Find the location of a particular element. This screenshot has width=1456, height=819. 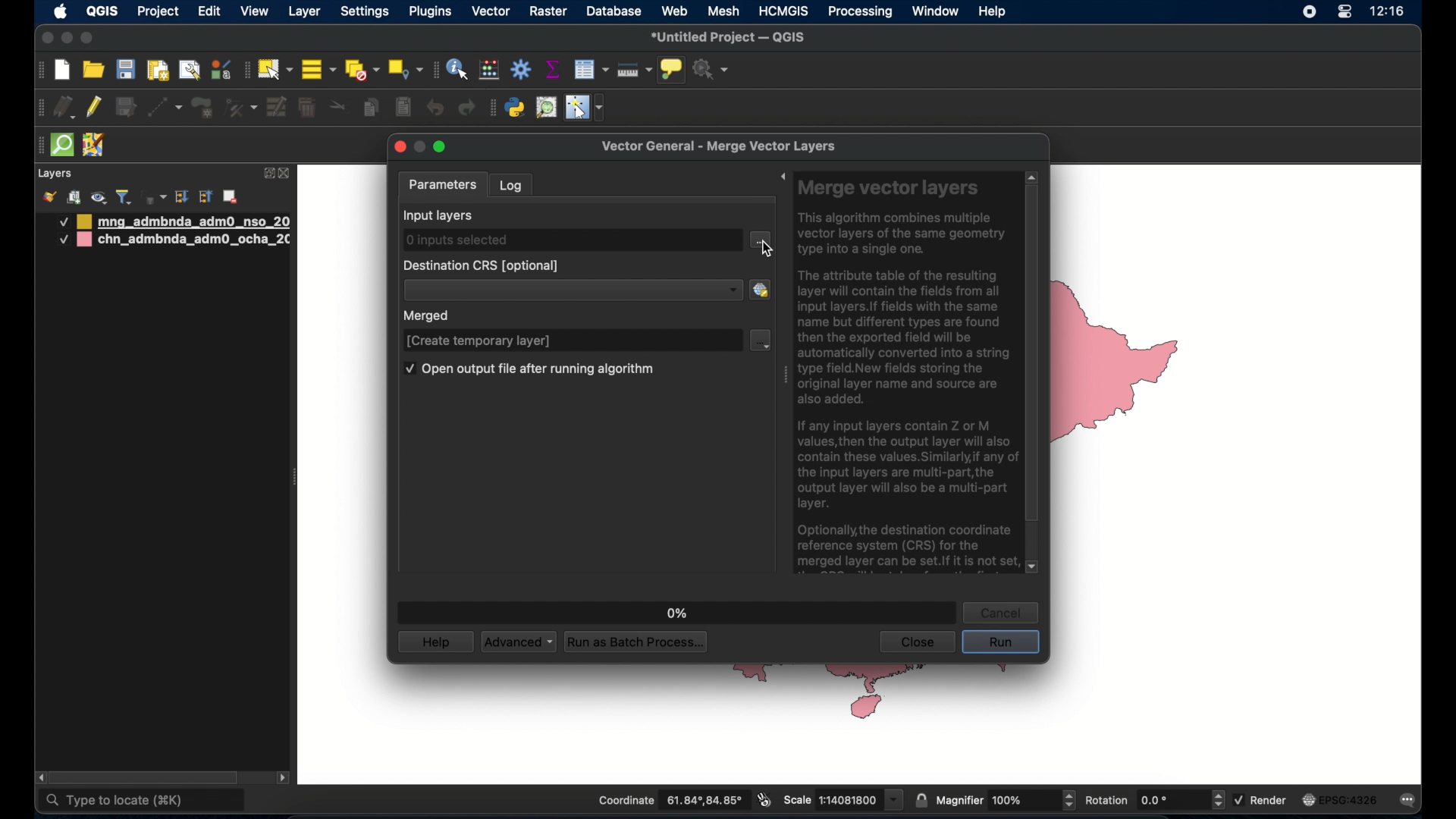

toggle extents and mouse position display is located at coordinates (762, 799).